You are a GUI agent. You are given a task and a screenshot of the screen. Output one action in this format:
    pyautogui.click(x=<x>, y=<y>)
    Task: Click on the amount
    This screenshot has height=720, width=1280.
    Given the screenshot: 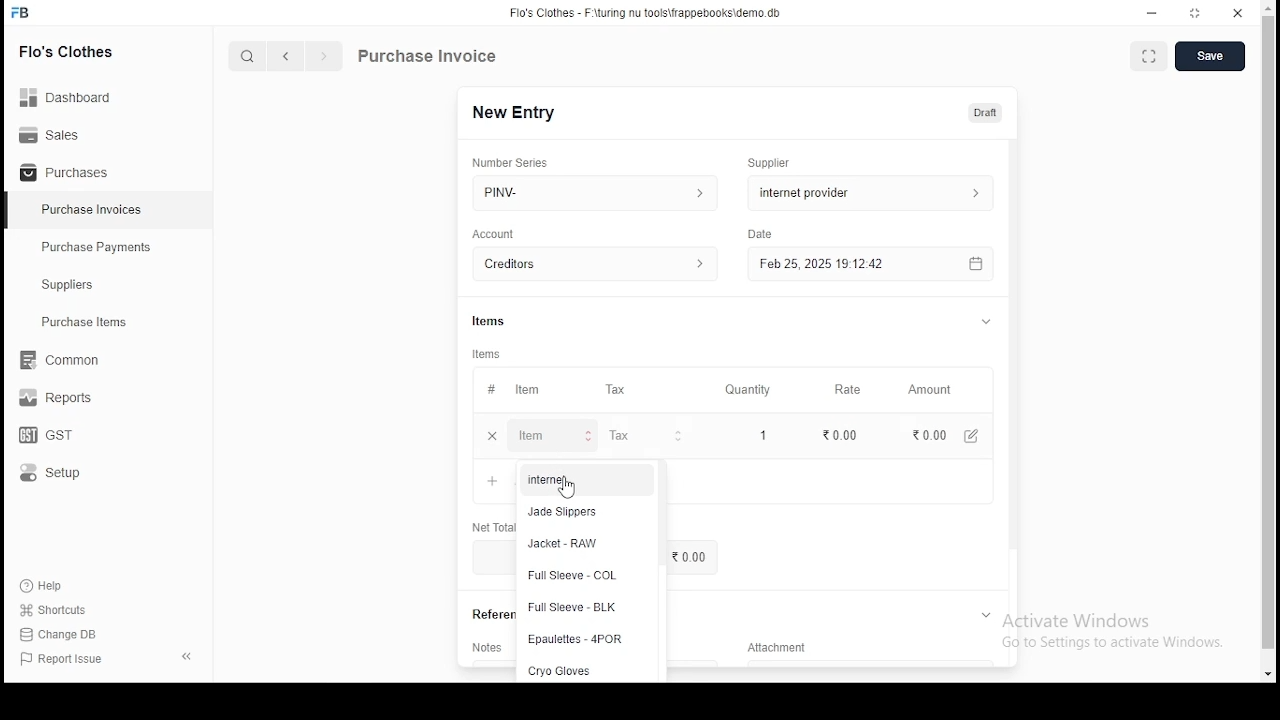 What is the action you would take?
    pyautogui.click(x=936, y=390)
    